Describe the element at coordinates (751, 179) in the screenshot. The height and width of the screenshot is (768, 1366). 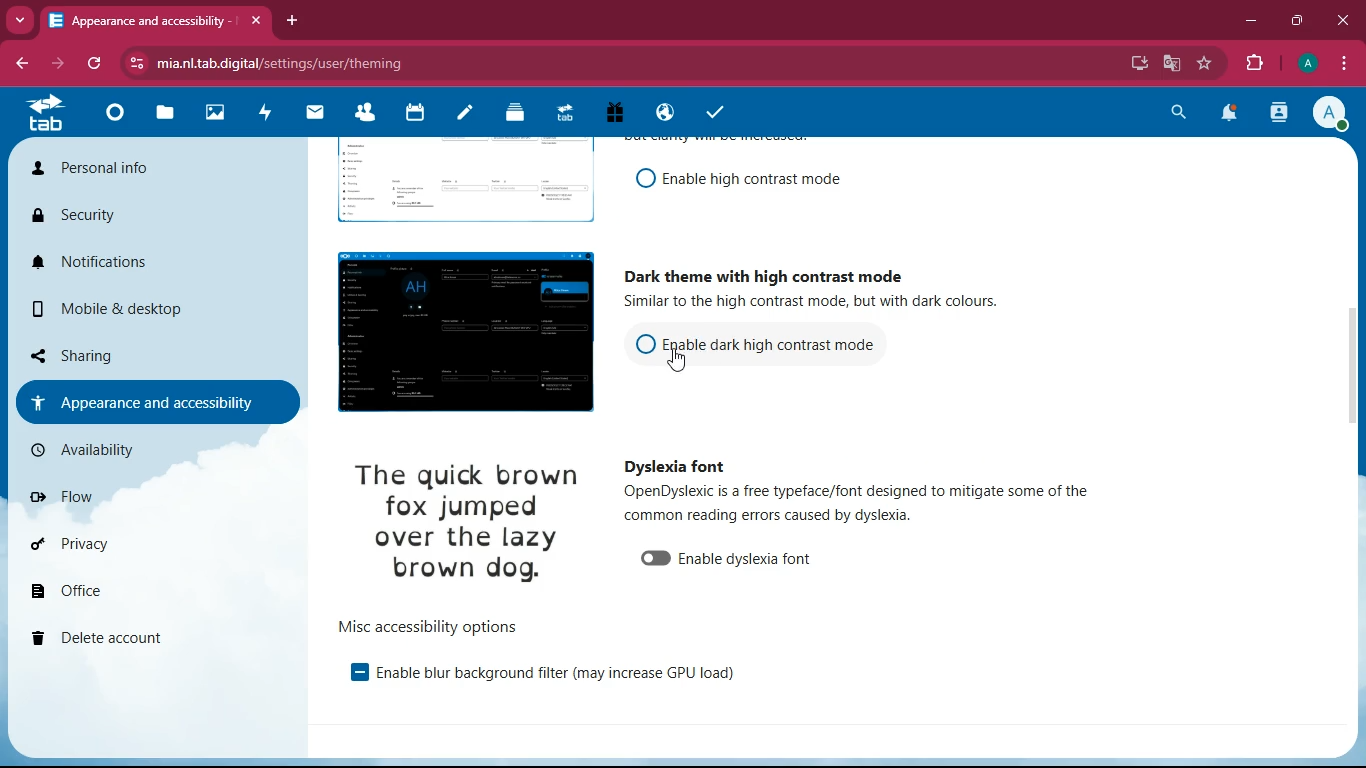
I see `enable` at that location.